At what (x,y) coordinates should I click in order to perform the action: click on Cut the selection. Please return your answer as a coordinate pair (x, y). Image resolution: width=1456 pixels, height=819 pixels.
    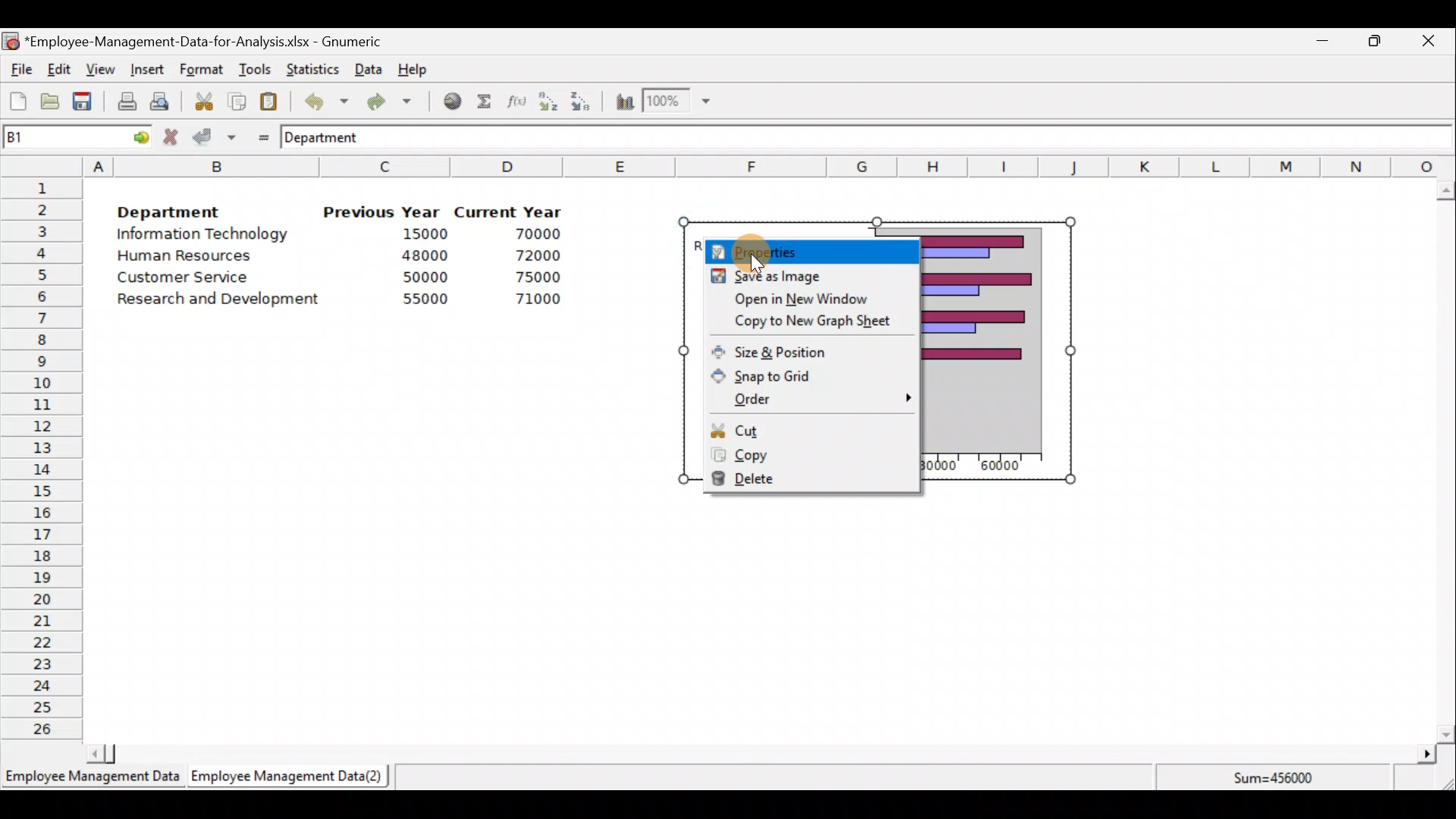
    Looking at the image, I should click on (199, 99).